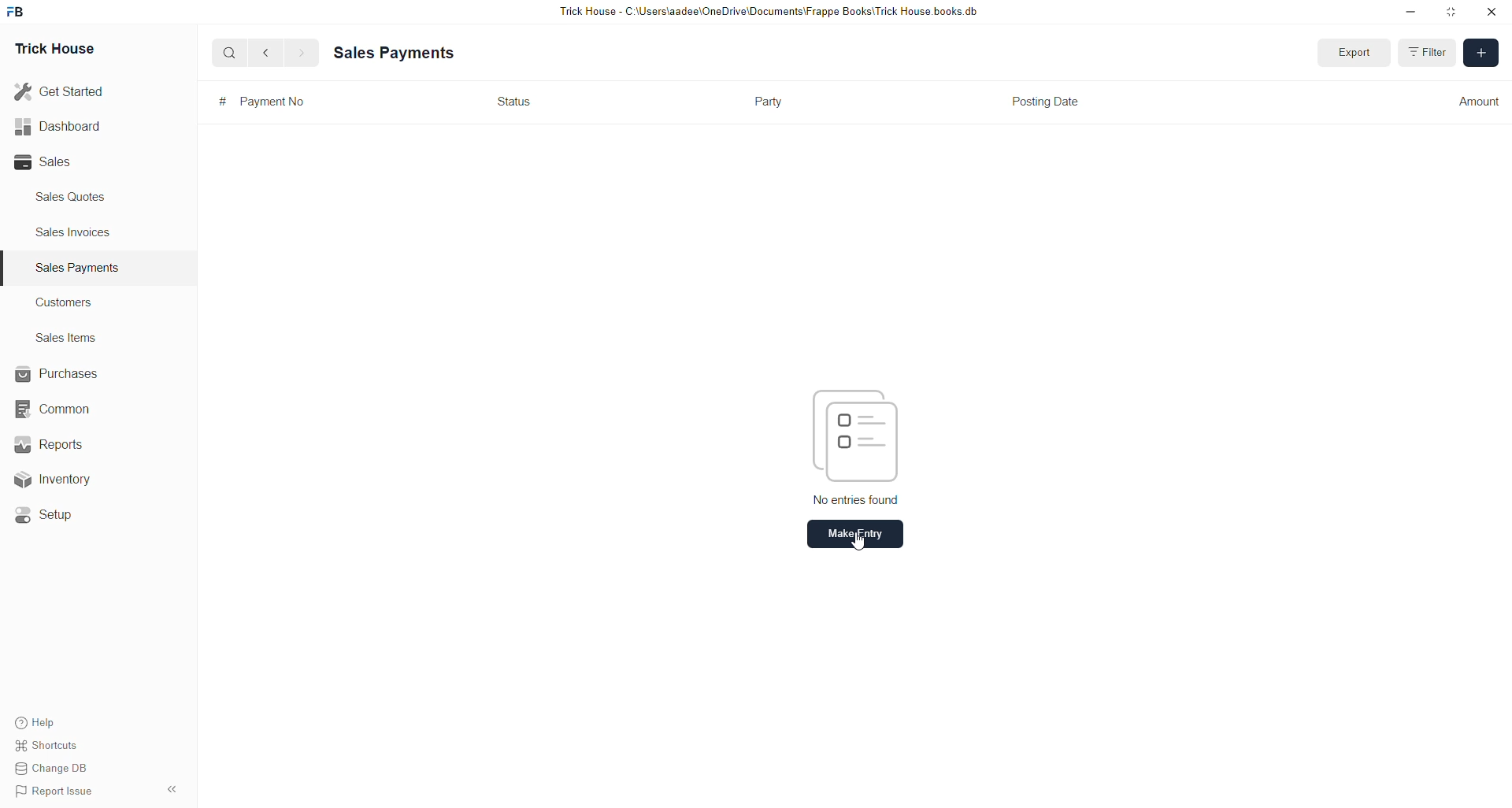 Image resolution: width=1512 pixels, height=808 pixels. I want to click on Back, so click(266, 54).